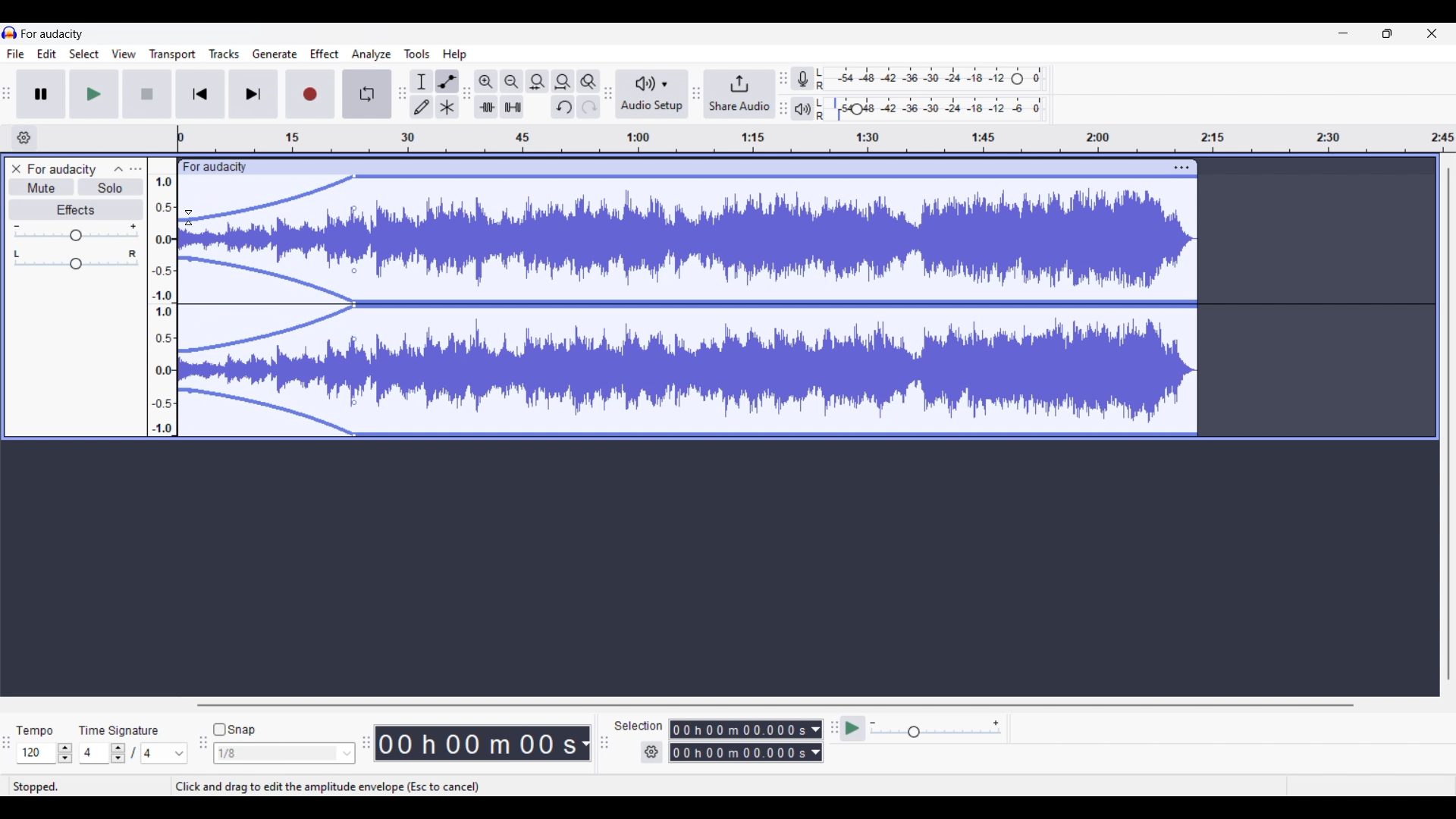  What do you see at coordinates (1432, 33) in the screenshot?
I see `Close interface` at bounding box center [1432, 33].